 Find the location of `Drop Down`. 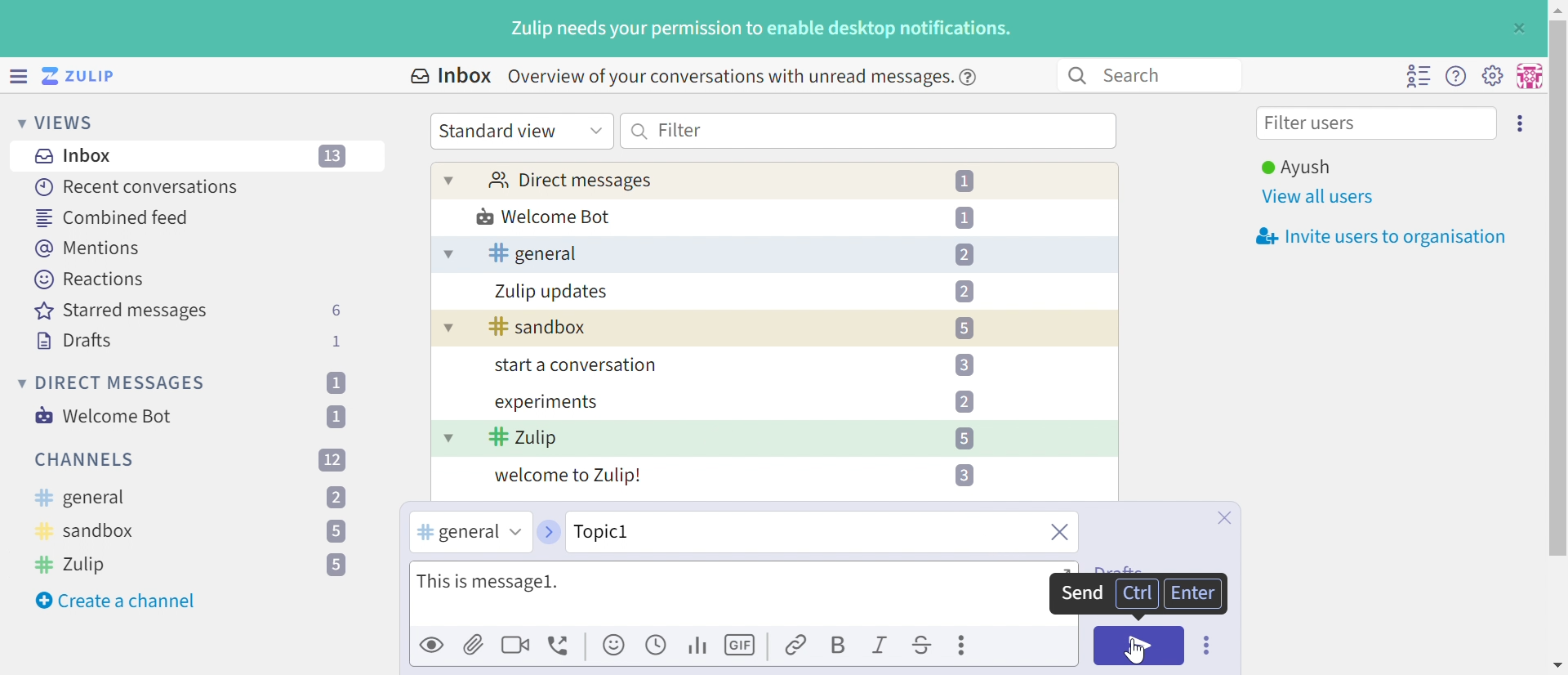

Drop Down is located at coordinates (596, 129).